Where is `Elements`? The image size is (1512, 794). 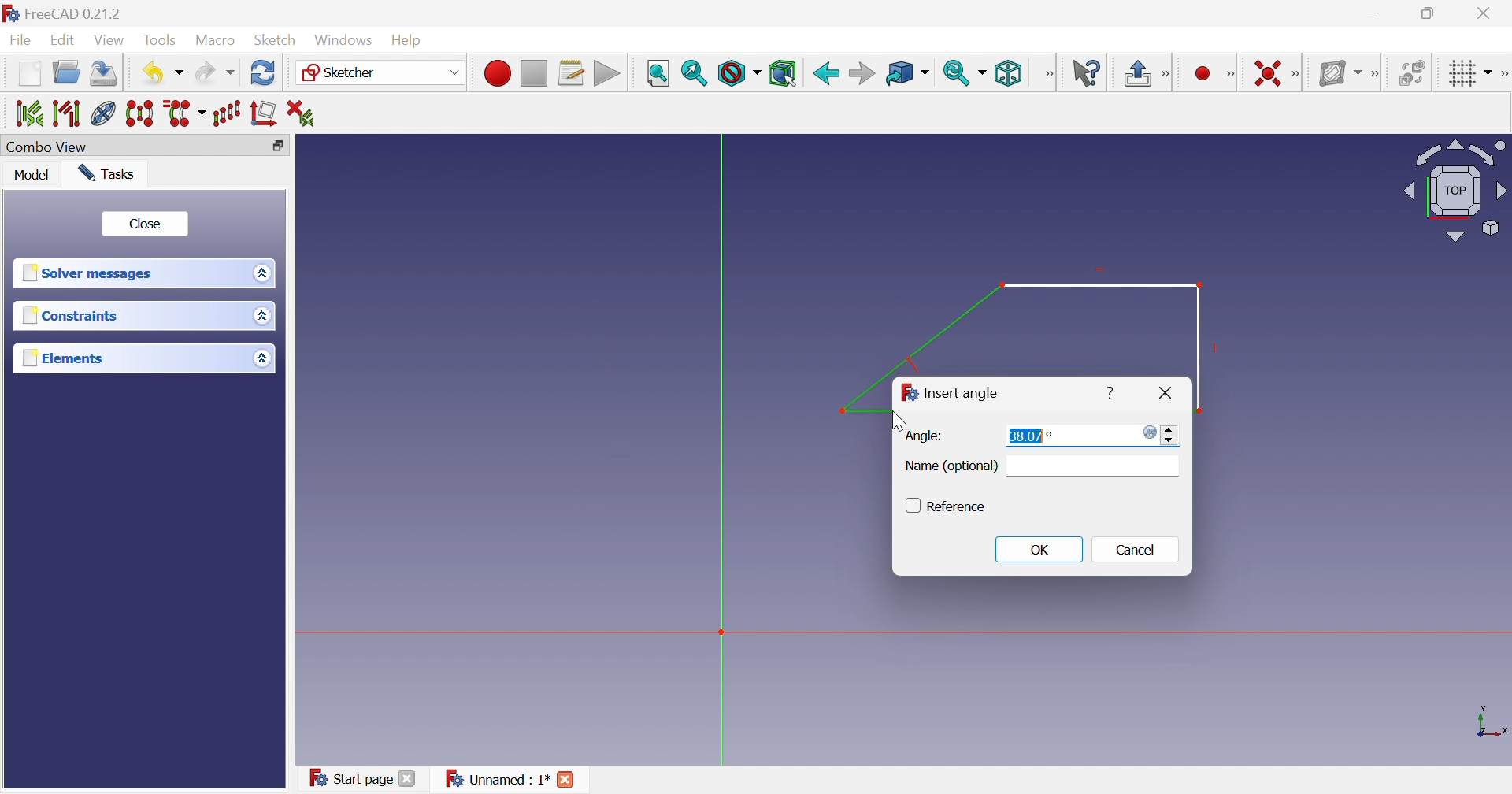 Elements is located at coordinates (61, 358).